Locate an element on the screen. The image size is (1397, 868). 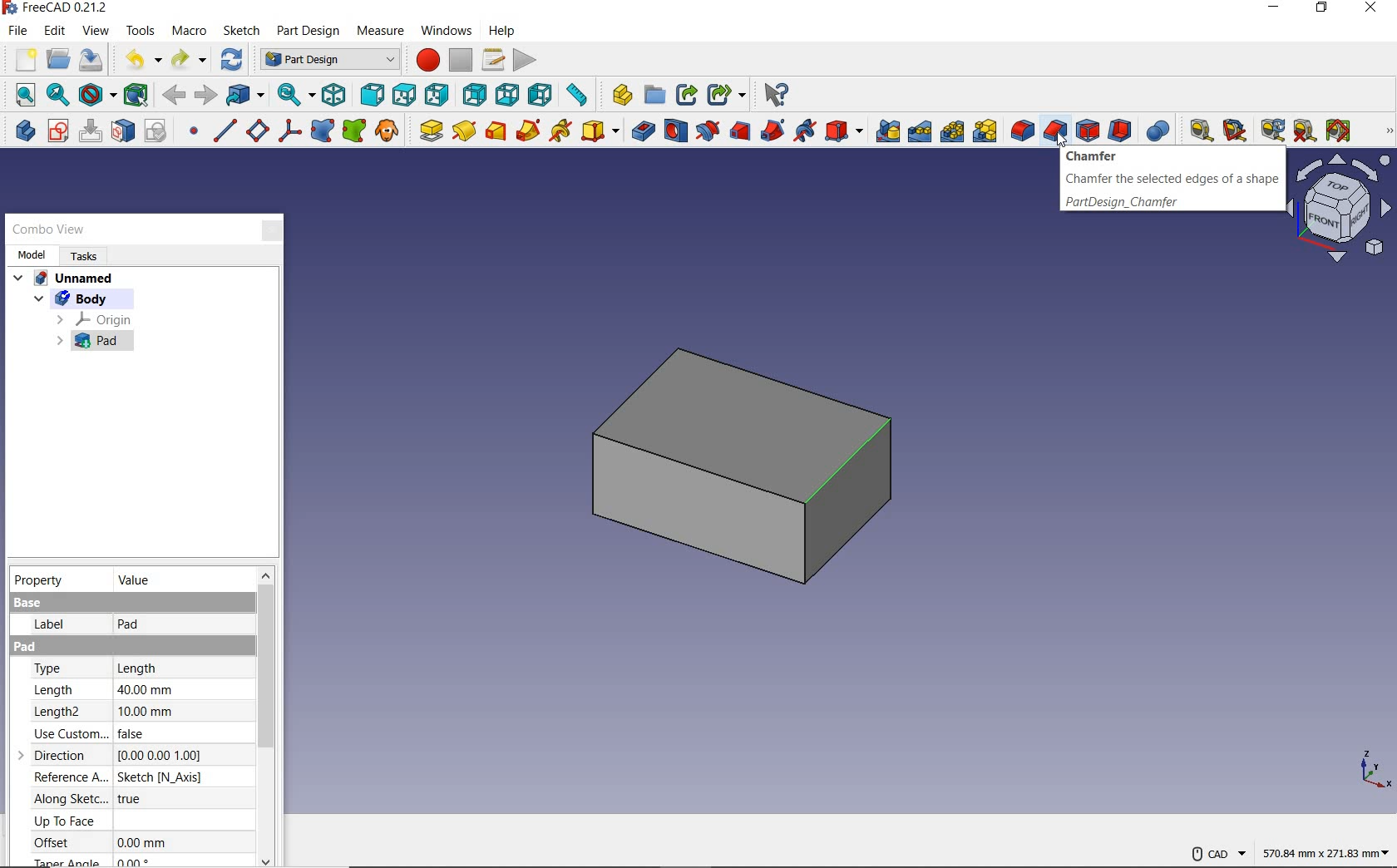
file is located at coordinates (18, 31).